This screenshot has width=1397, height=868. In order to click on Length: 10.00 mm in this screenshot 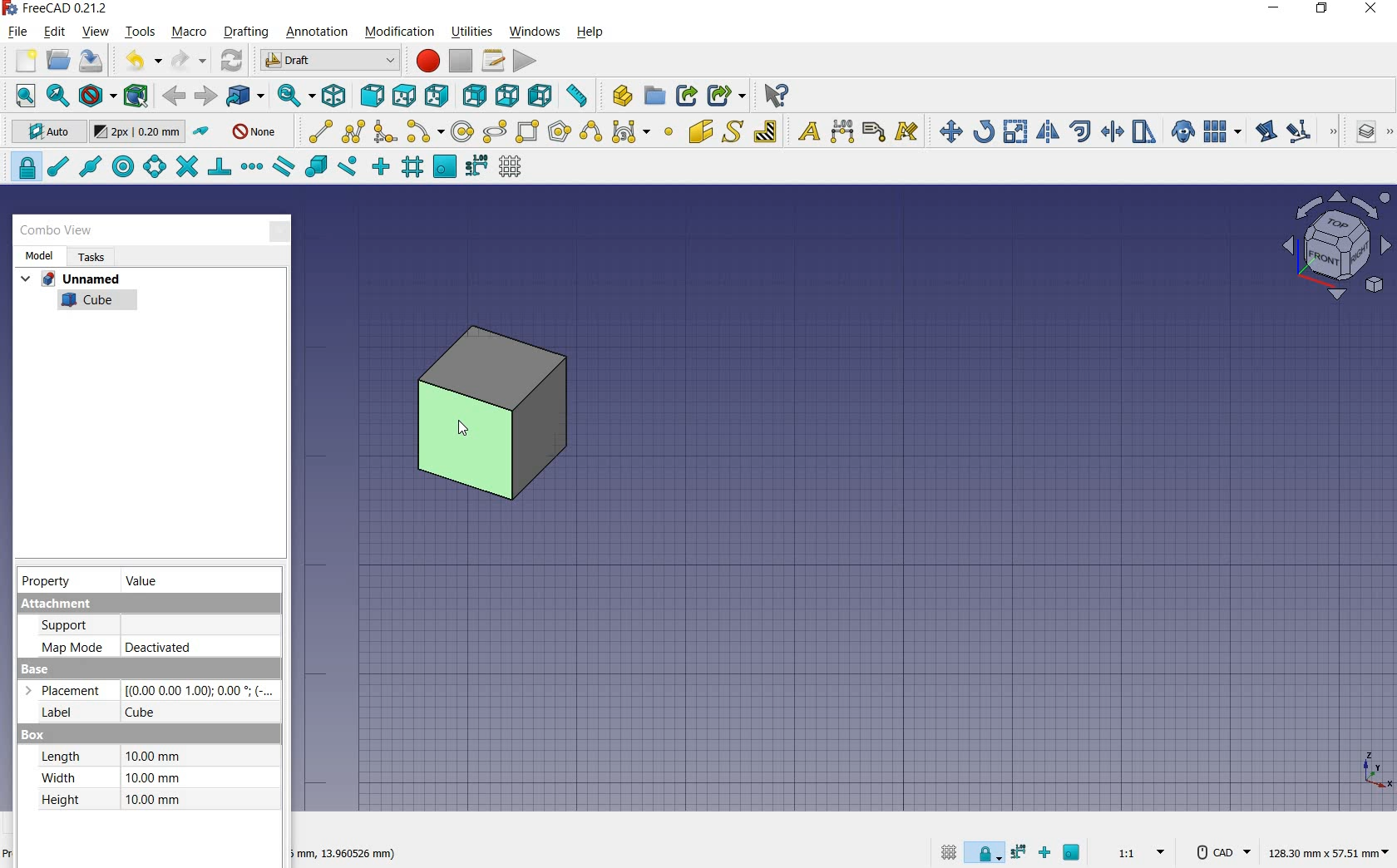, I will do `click(110, 756)`.